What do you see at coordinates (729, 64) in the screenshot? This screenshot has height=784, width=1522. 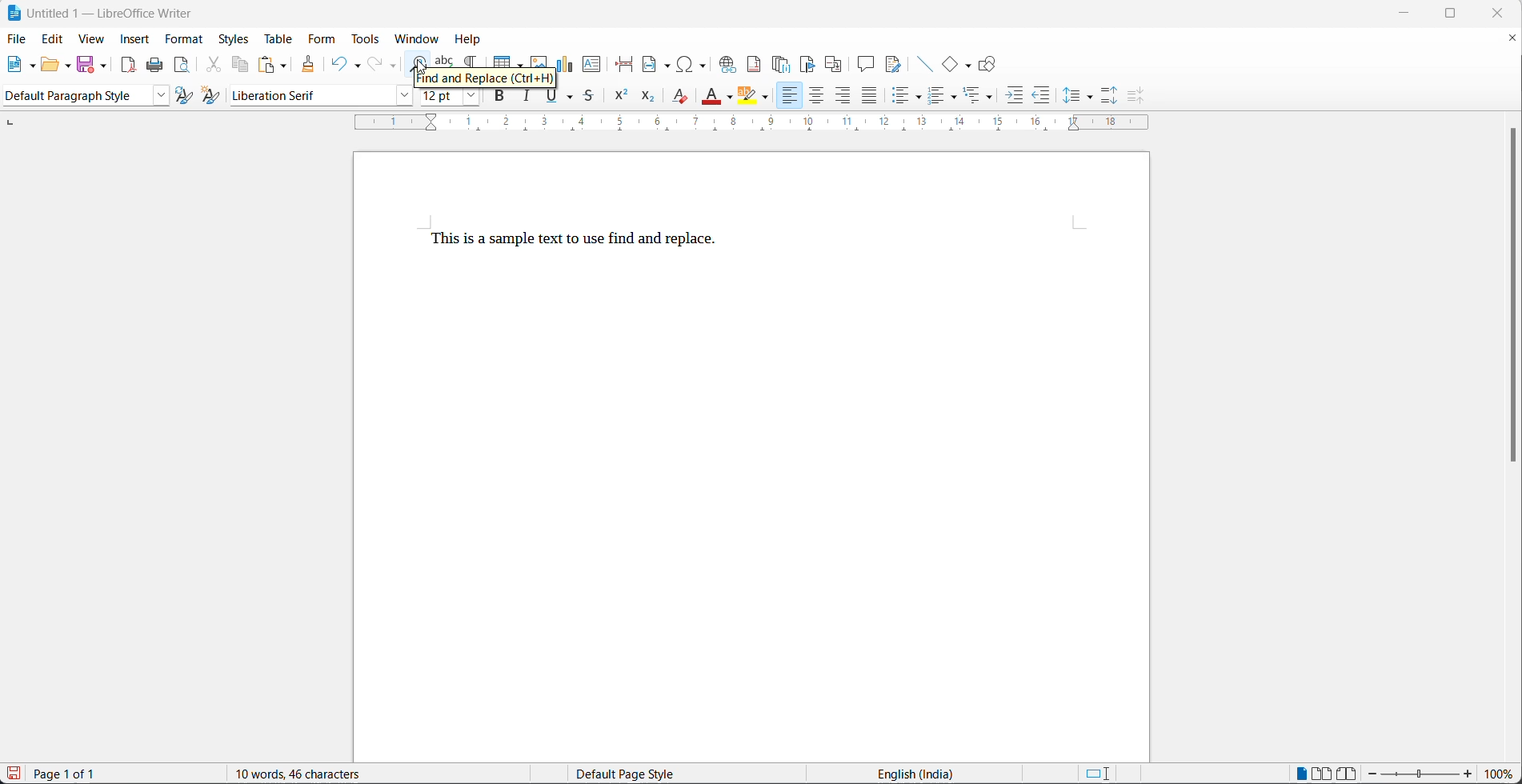 I see `insert hyperlink` at bounding box center [729, 64].